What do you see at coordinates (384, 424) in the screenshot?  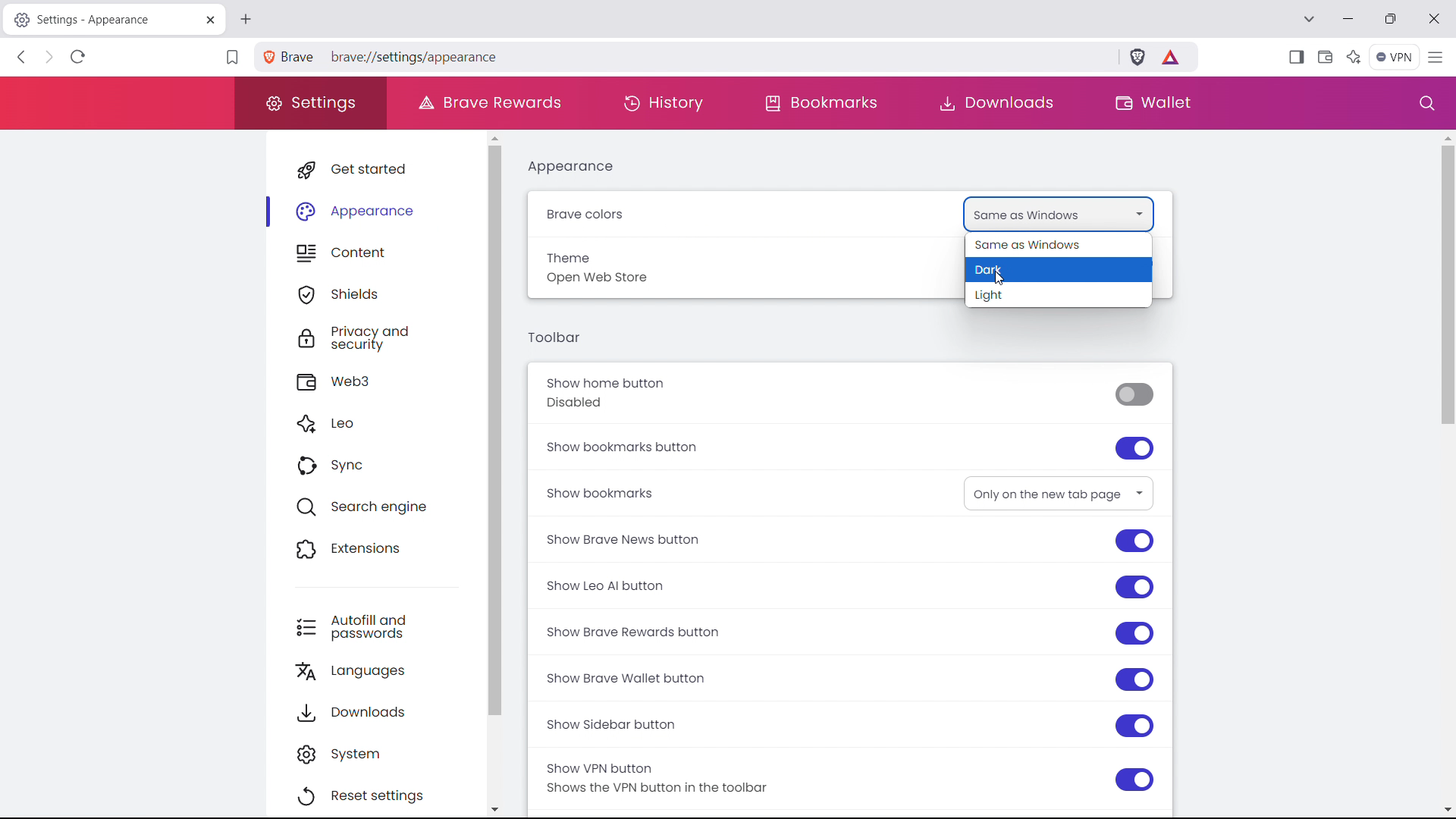 I see `leo` at bounding box center [384, 424].